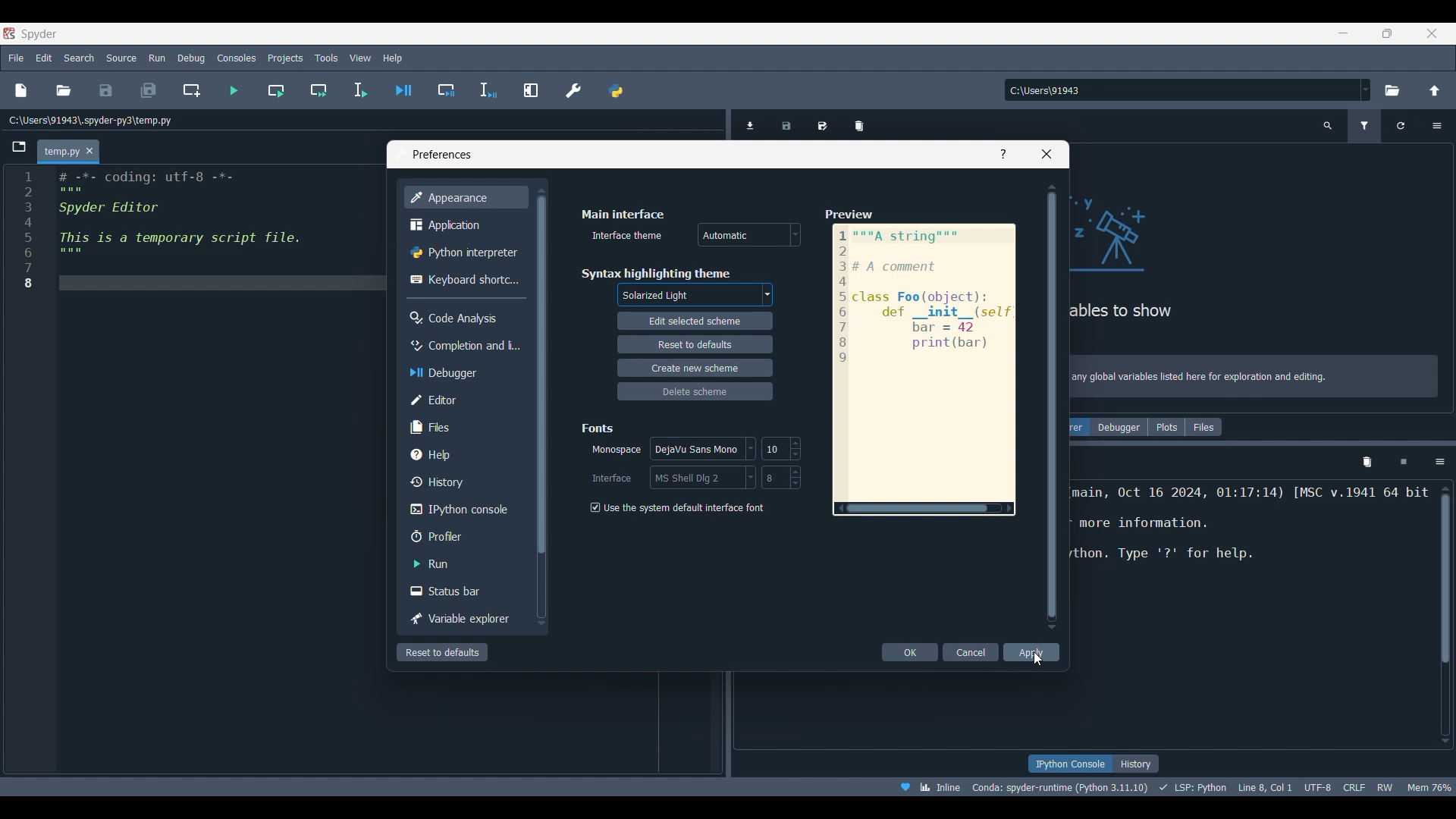 The height and width of the screenshot is (819, 1456). I want to click on Preview, so click(925, 360).